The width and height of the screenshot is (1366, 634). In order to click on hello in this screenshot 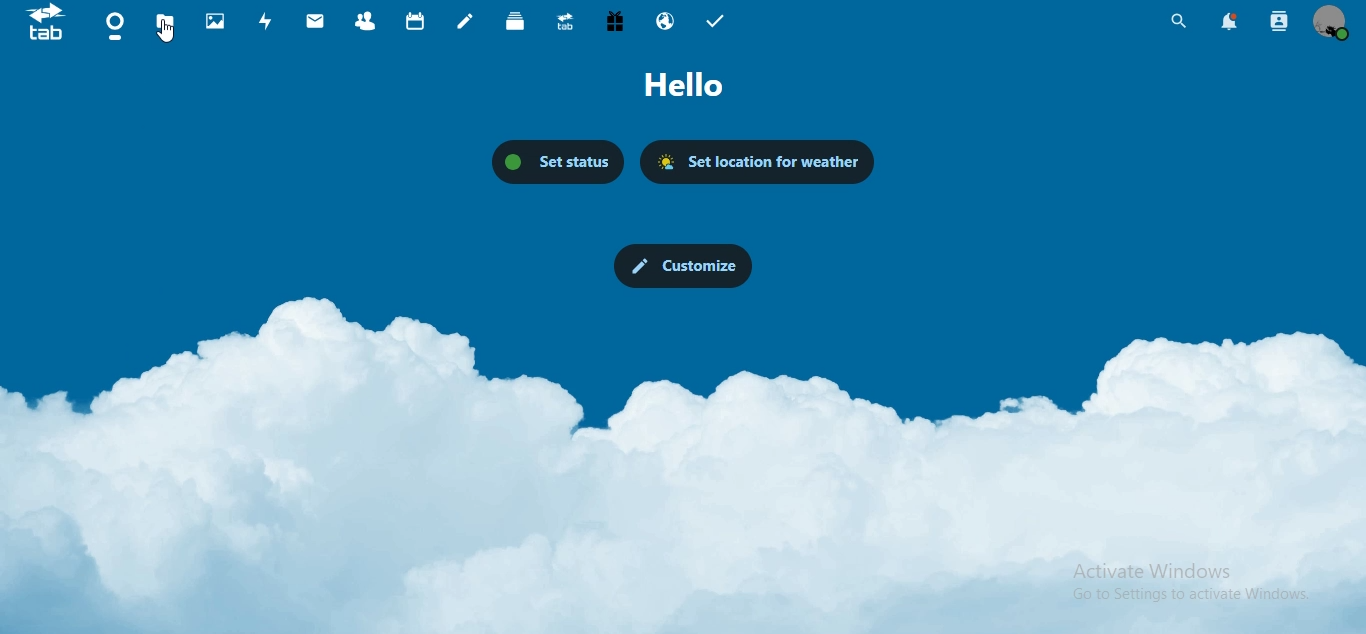, I will do `click(684, 84)`.